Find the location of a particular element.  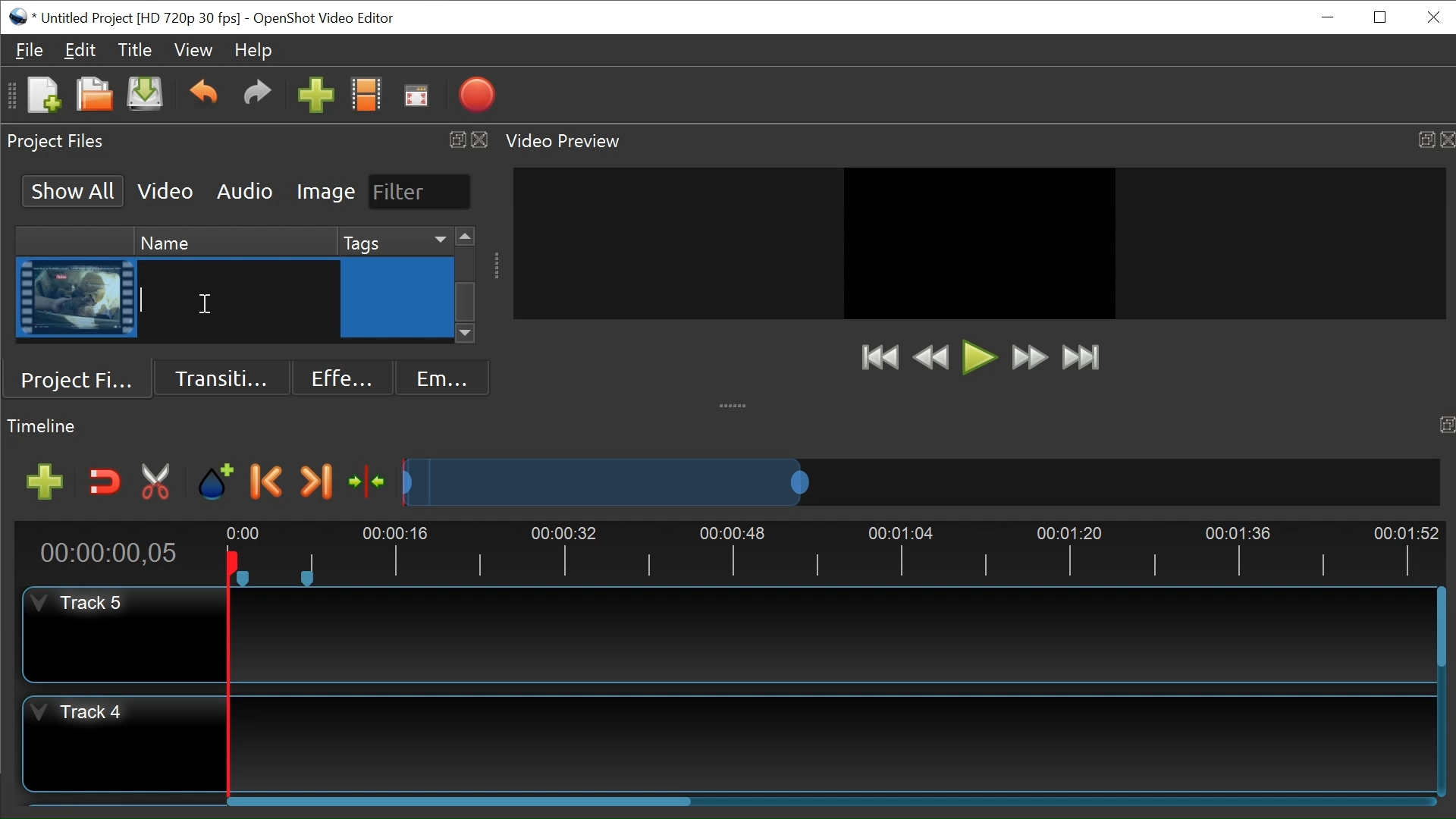

Files is located at coordinates (30, 49).